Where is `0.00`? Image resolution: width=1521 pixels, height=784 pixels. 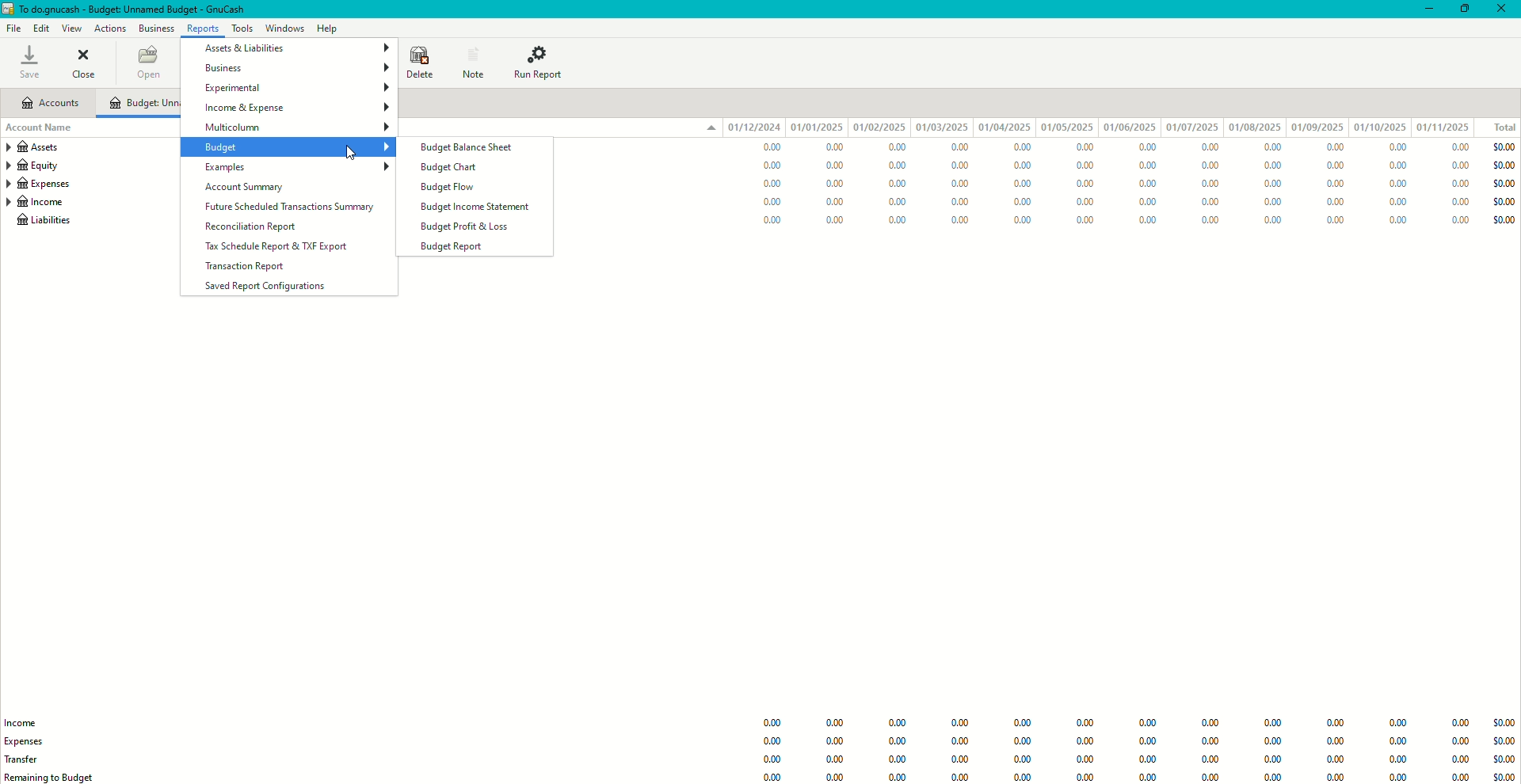
0.00 is located at coordinates (1338, 185).